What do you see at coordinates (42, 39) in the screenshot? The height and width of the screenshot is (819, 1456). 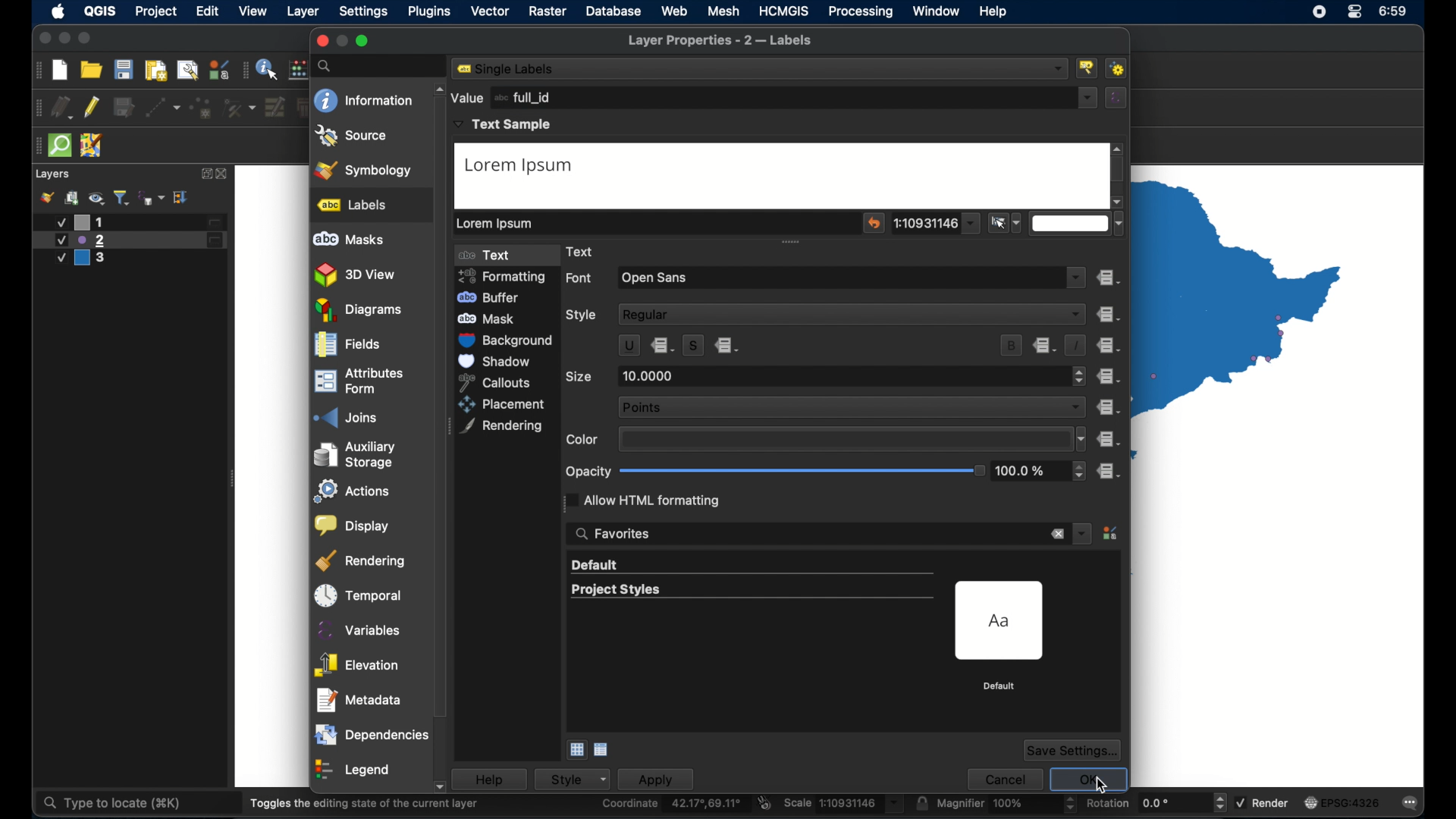 I see `close` at bounding box center [42, 39].